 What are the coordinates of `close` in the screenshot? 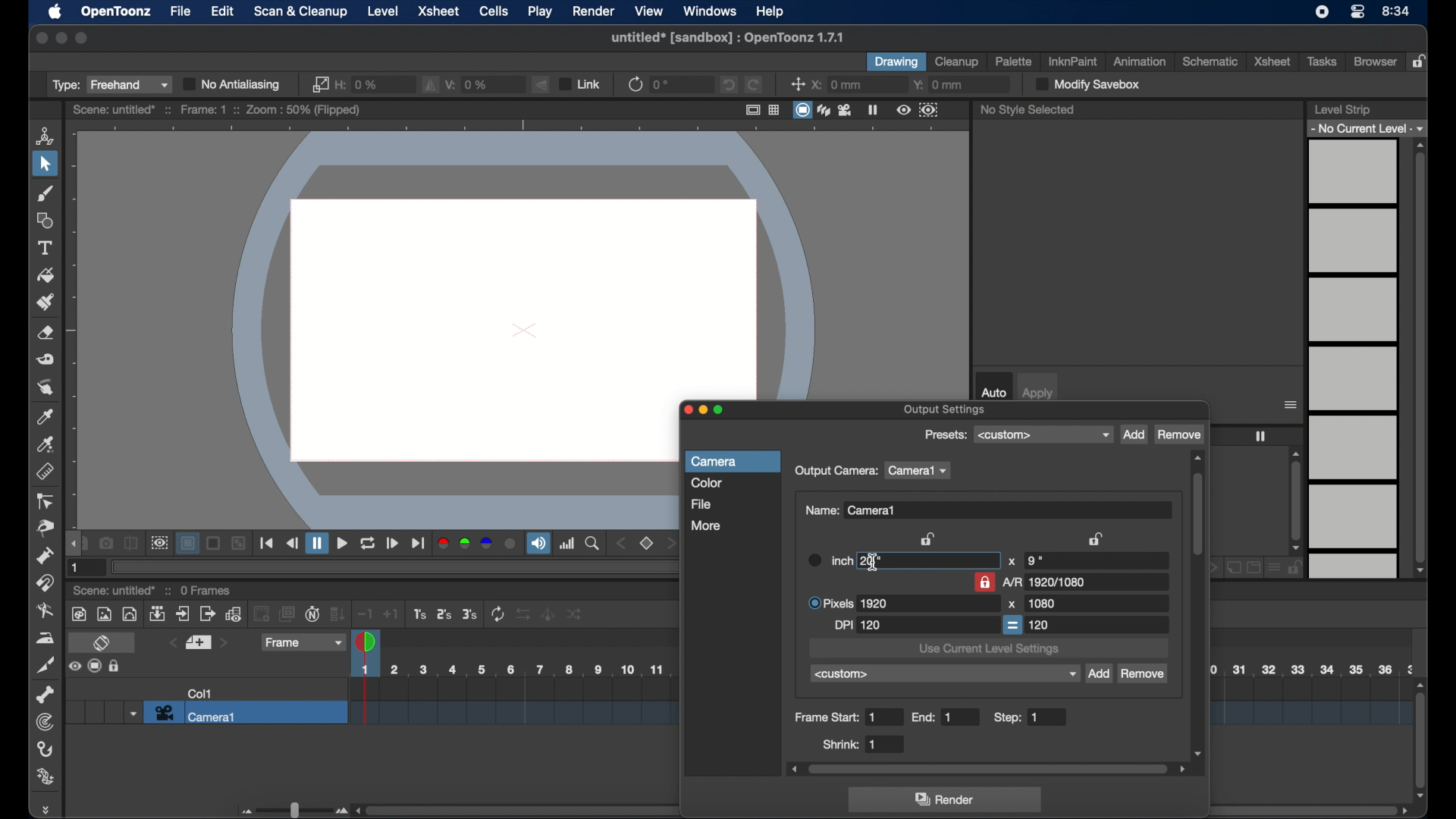 It's located at (40, 38).